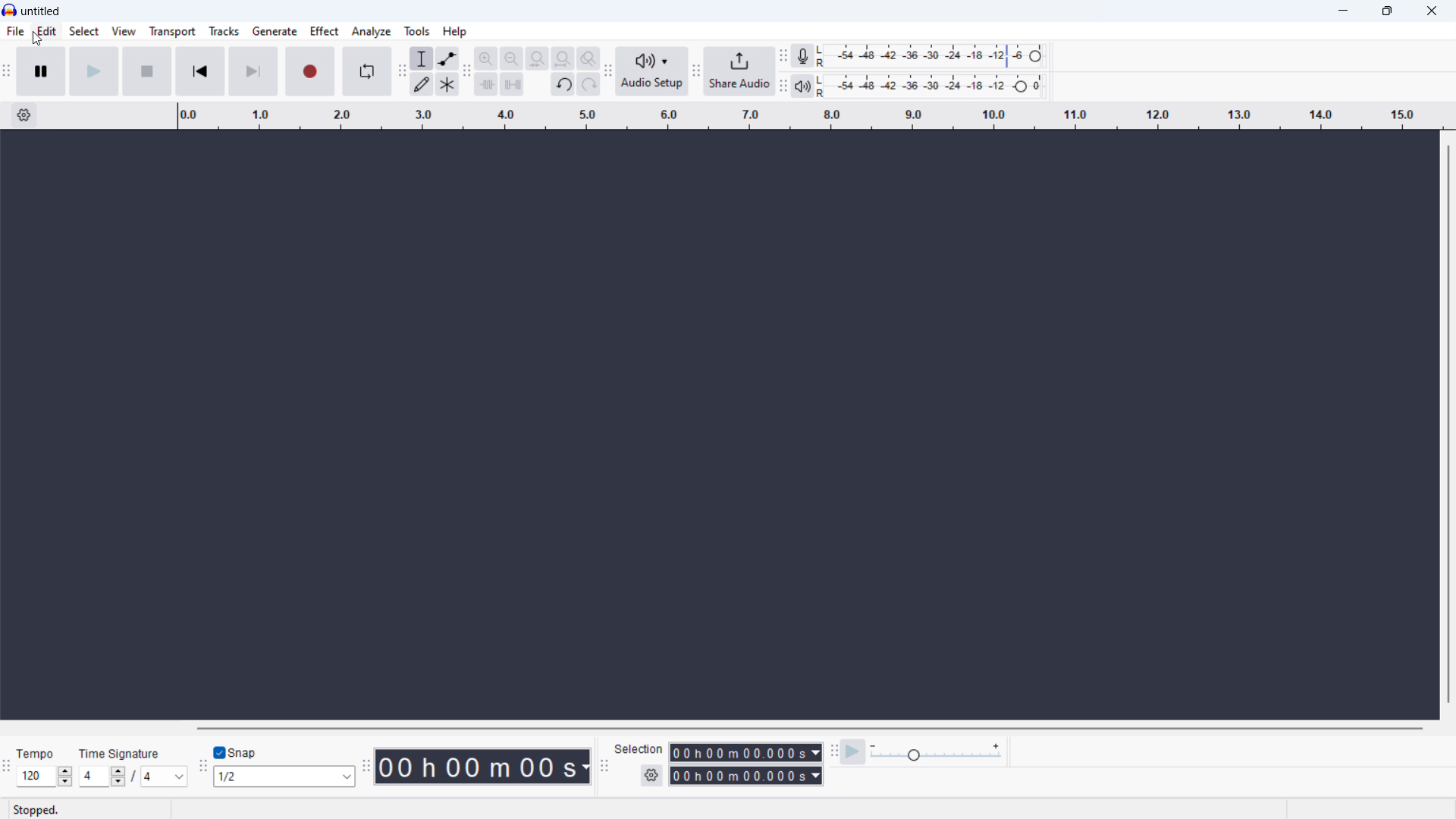 The width and height of the screenshot is (1456, 819). What do you see at coordinates (148, 71) in the screenshot?
I see `stop` at bounding box center [148, 71].